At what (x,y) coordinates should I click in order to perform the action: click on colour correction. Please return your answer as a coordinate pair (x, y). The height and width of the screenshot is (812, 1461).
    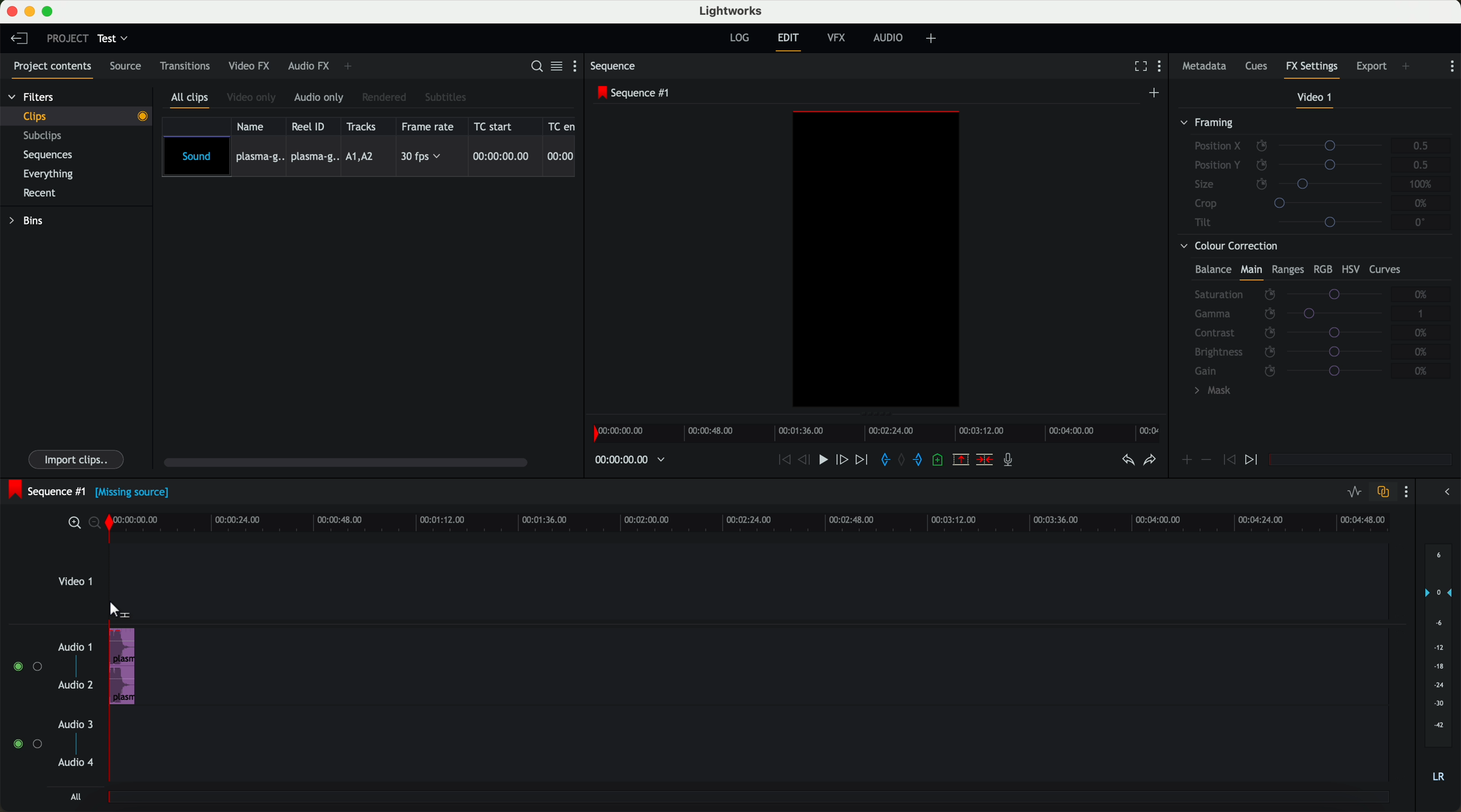
    Looking at the image, I should click on (1310, 322).